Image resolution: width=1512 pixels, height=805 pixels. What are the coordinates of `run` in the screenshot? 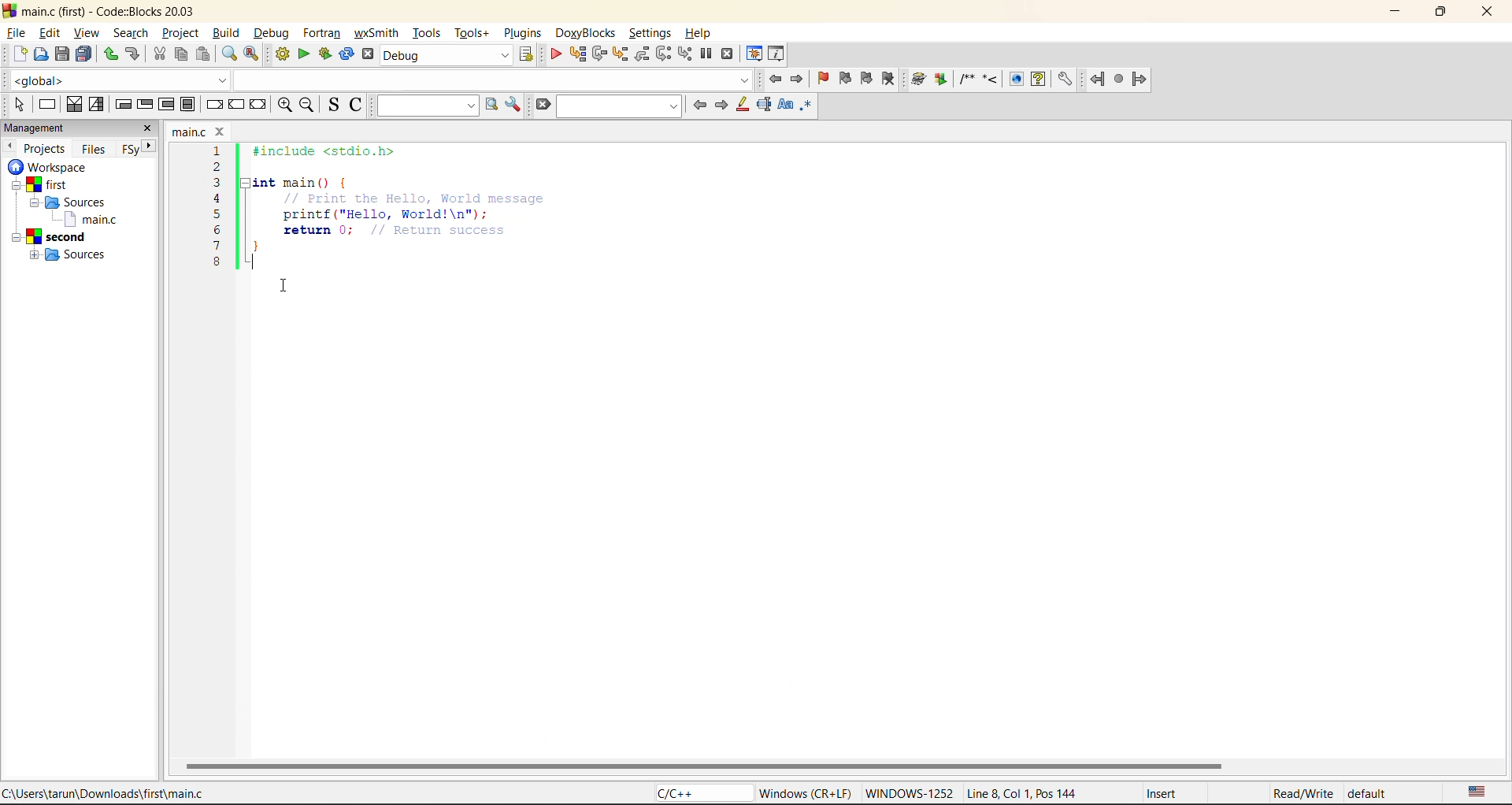 It's located at (304, 56).